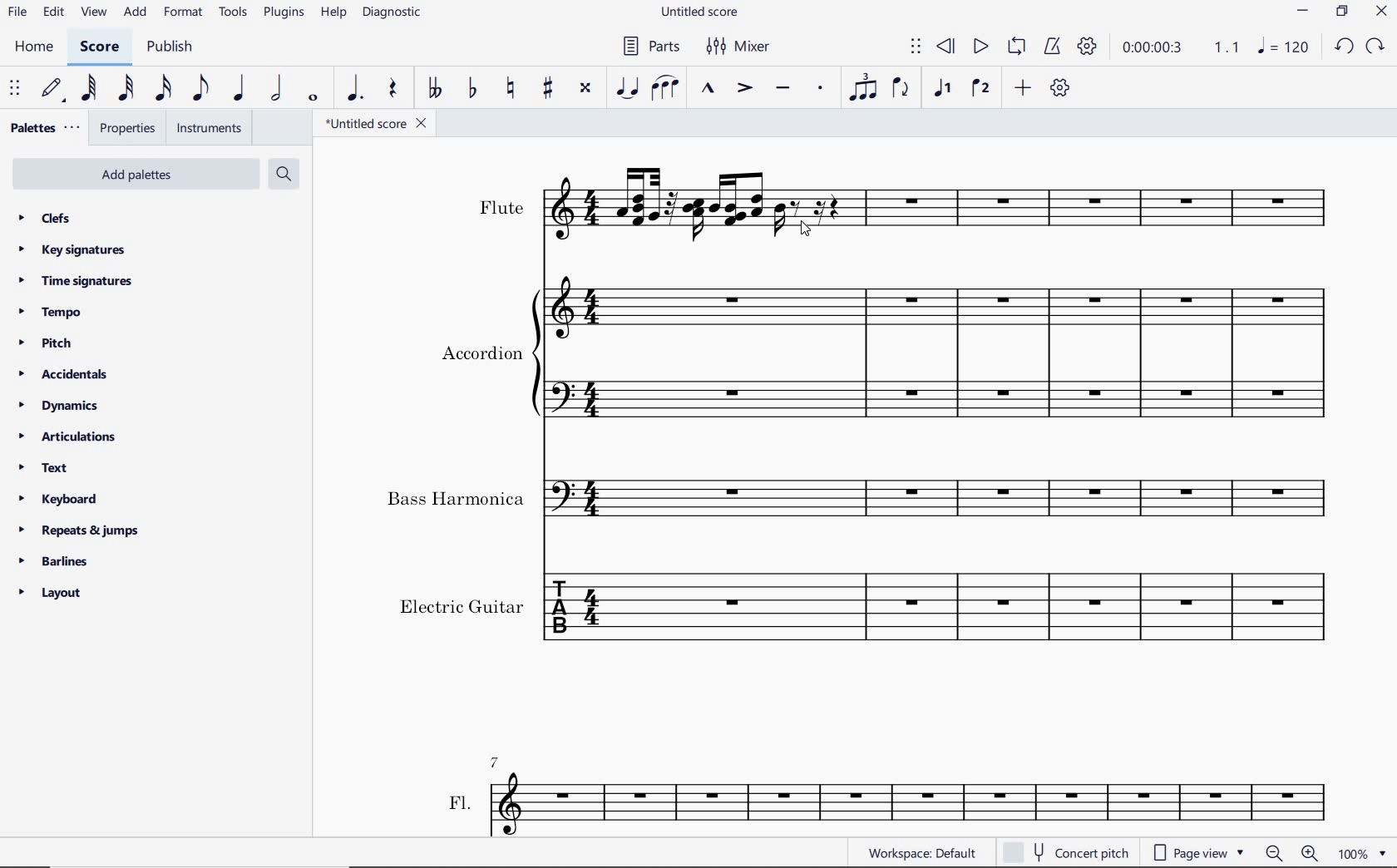 The width and height of the screenshot is (1397, 868). Describe the element at coordinates (980, 90) in the screenshot. I see `voice 2` at that location.